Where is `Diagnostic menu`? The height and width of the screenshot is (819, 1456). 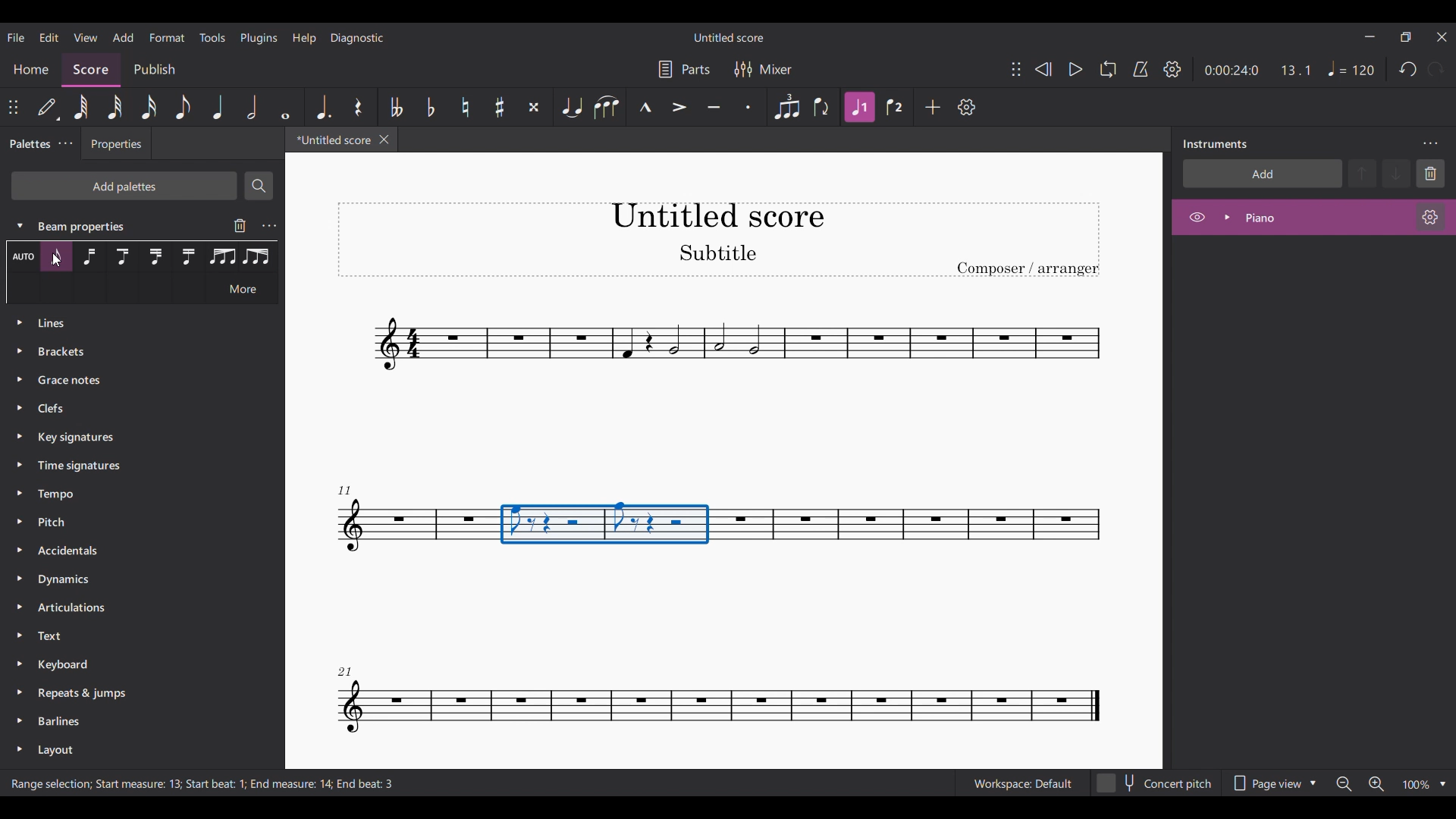 Diagnostic menu is located at coordinates (357, 37).